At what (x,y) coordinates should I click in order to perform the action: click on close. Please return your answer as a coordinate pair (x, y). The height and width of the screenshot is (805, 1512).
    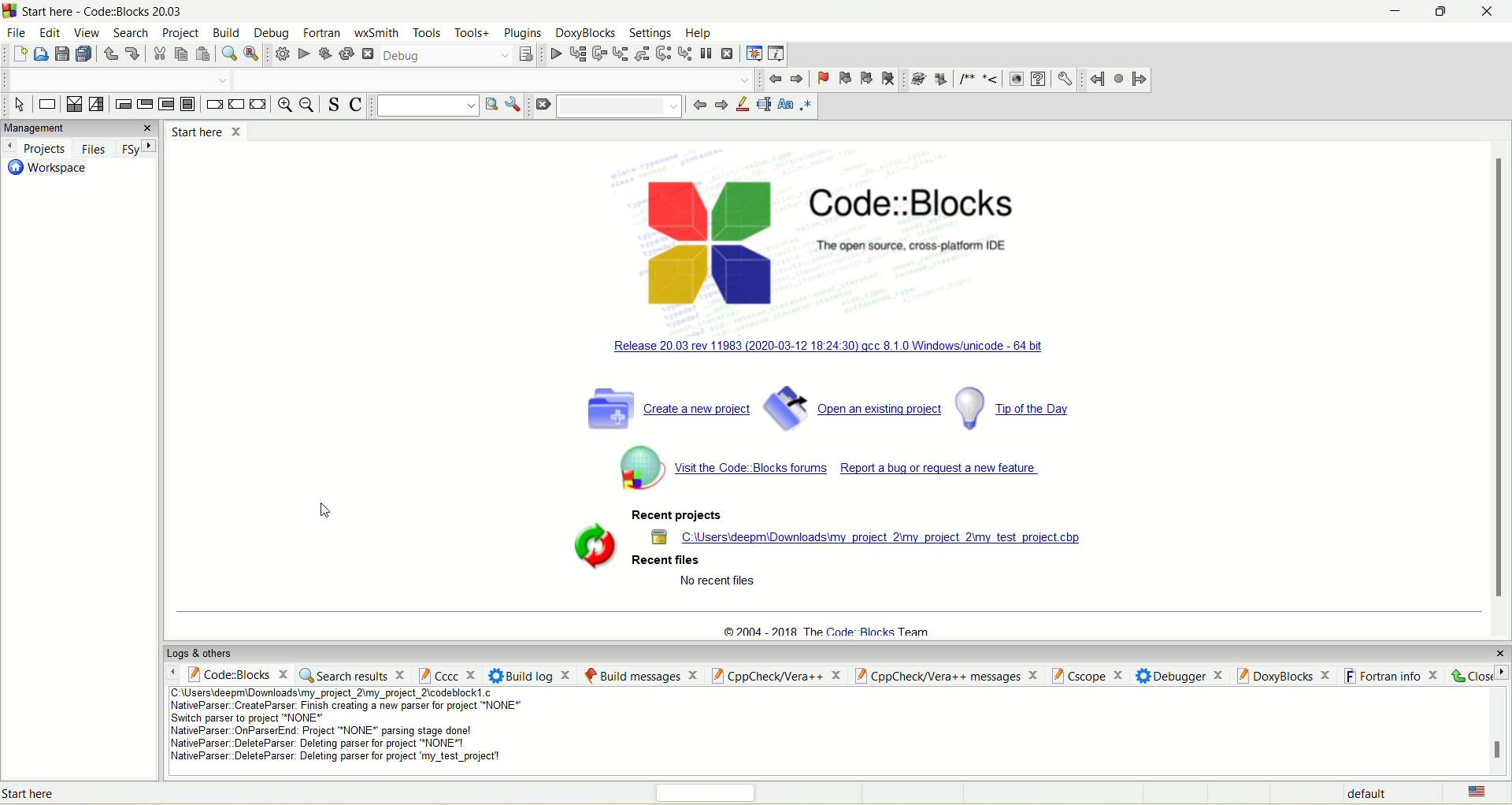
    Looking at the image, I should click on (1496, 650).